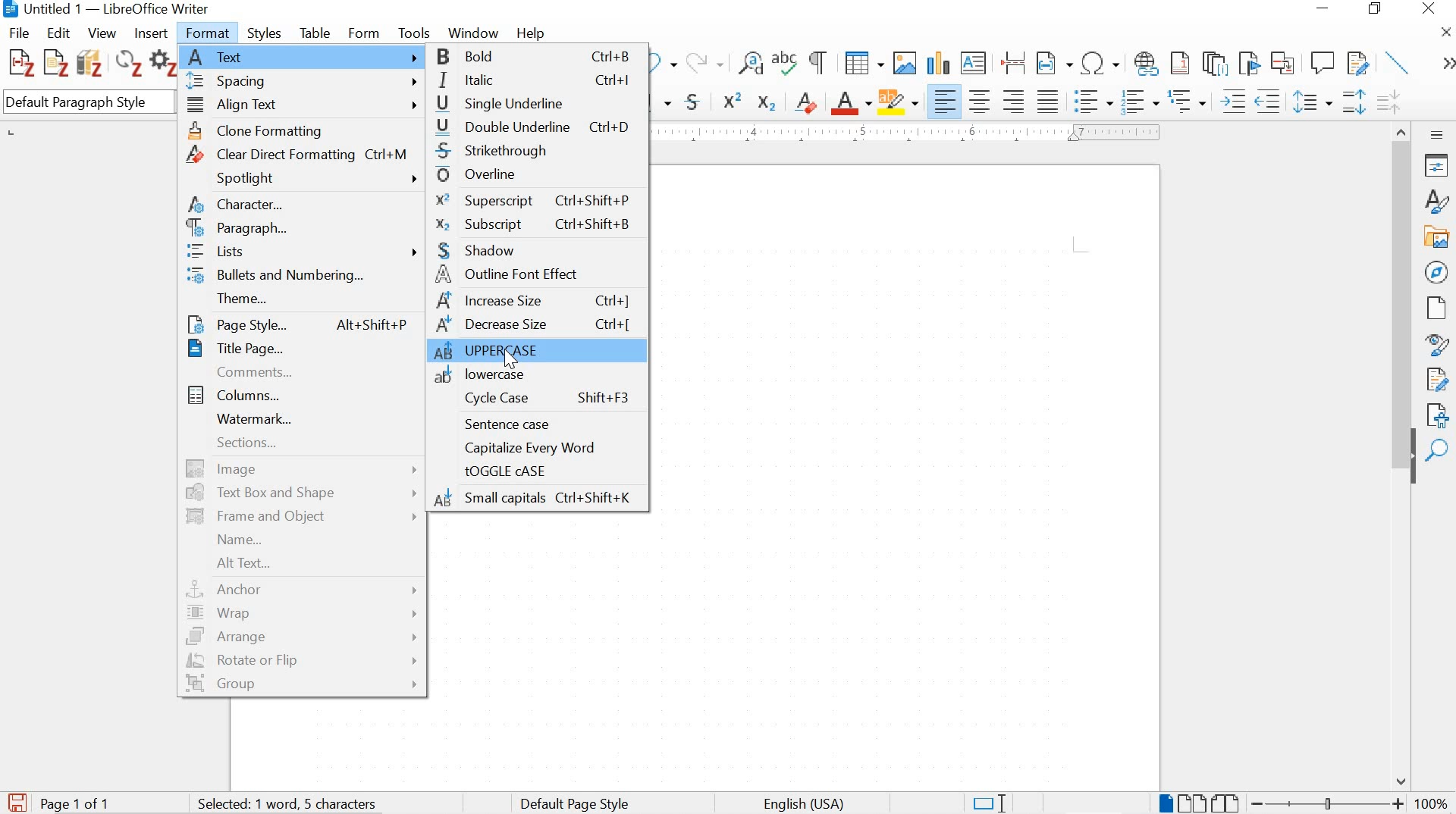 This screenshot has width=1456, height=814. I want to click on toggle formatting marks, so click(819, 62).